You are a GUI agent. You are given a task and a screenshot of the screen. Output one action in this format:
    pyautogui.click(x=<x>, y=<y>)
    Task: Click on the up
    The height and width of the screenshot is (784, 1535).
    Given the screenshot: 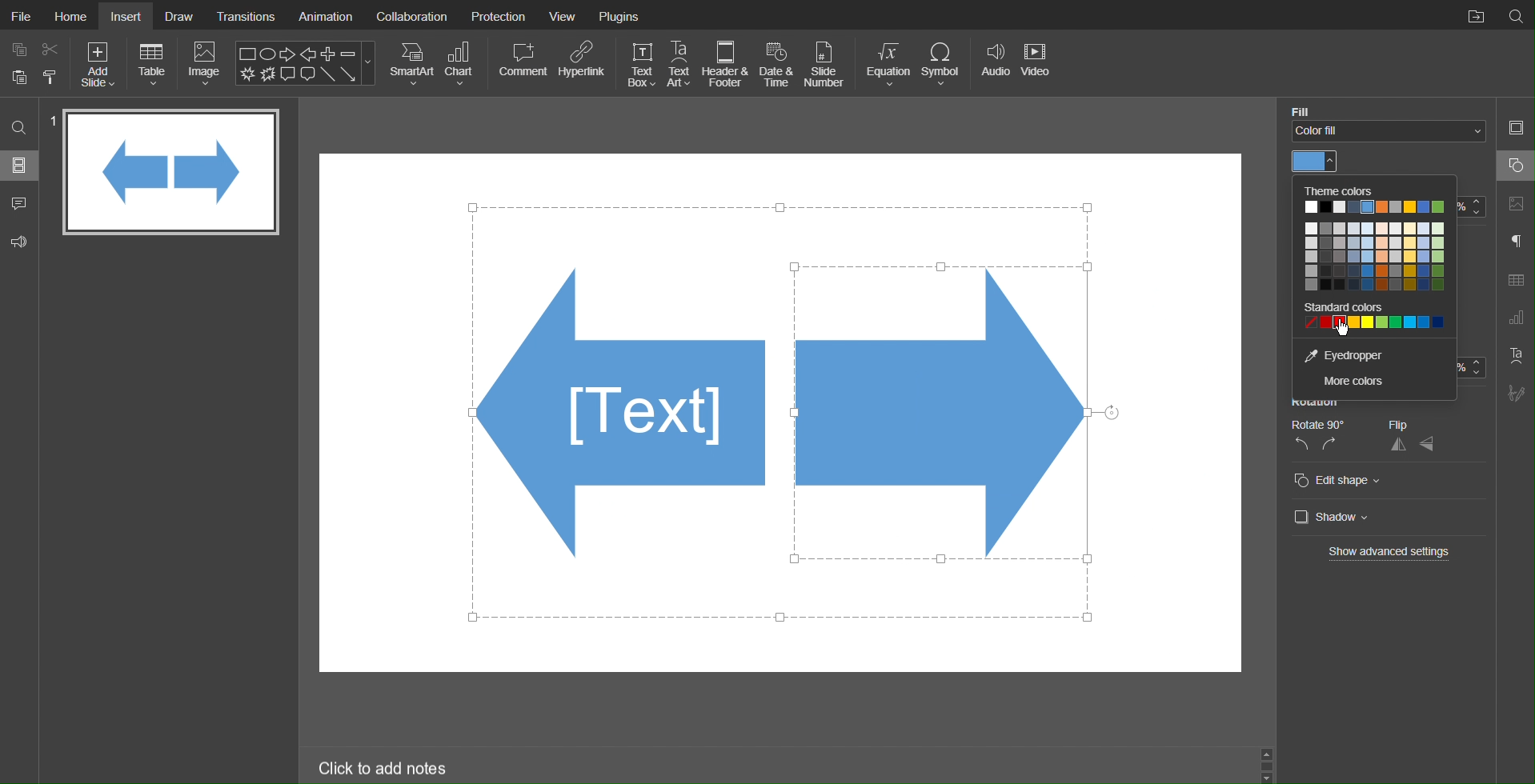 What is the action you would take?
    pyautogui.click(x=1269, y=754)
    